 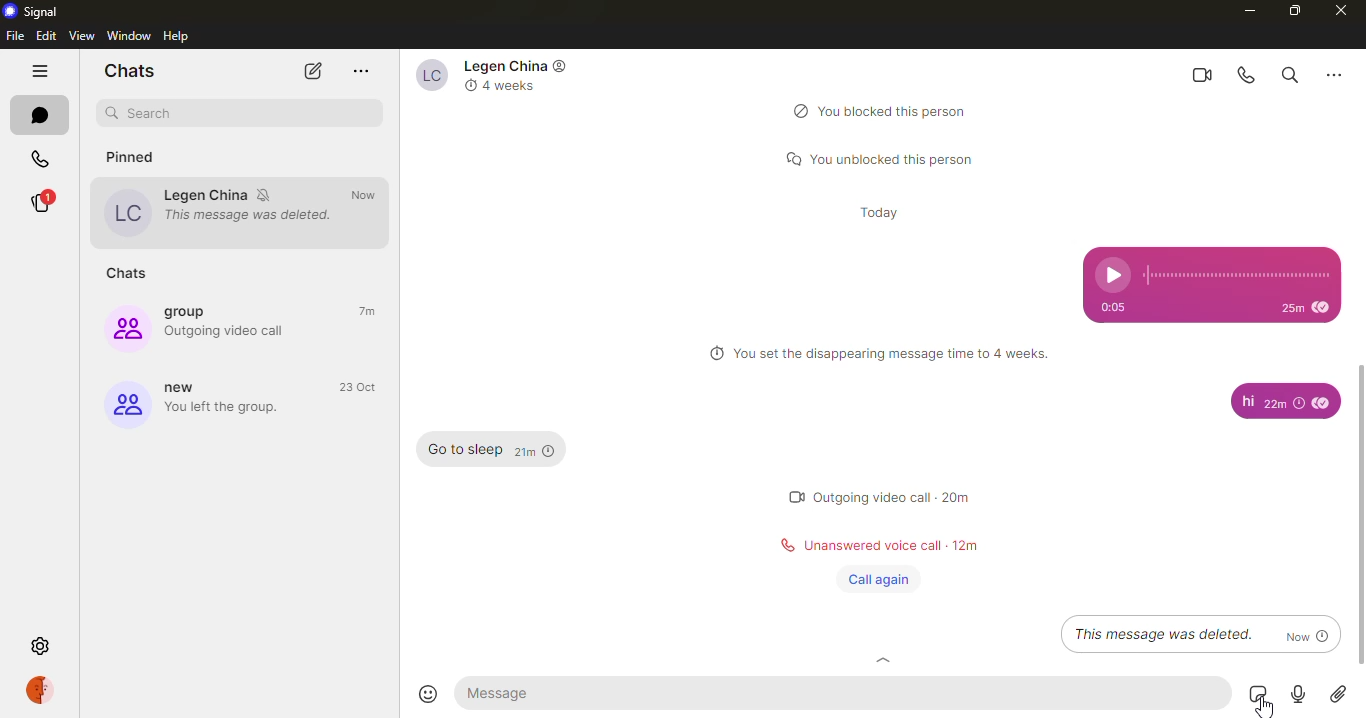 I want to click on more, so click(x=1336, y=74).